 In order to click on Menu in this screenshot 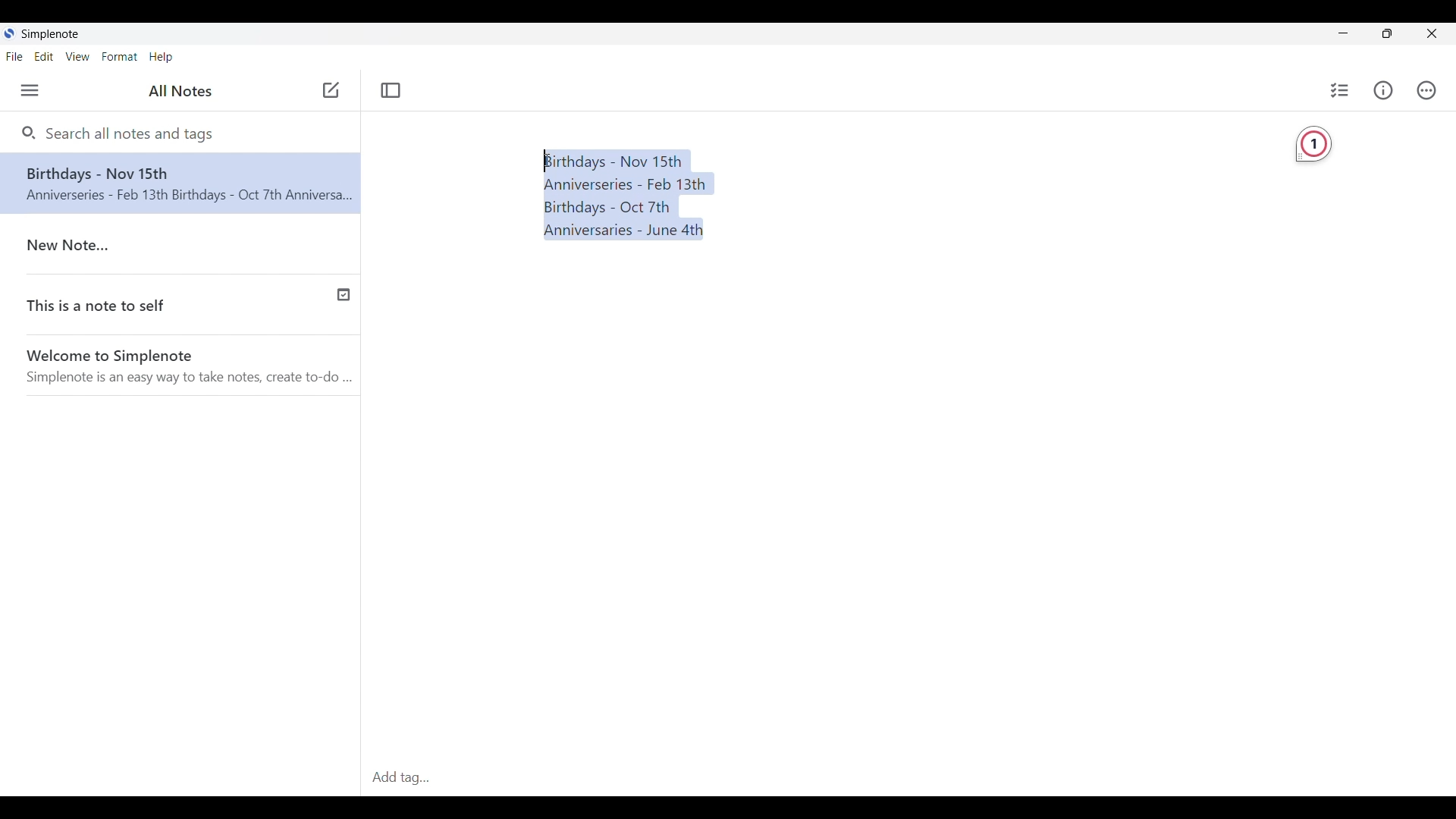, I will do `click(30, 90)`.